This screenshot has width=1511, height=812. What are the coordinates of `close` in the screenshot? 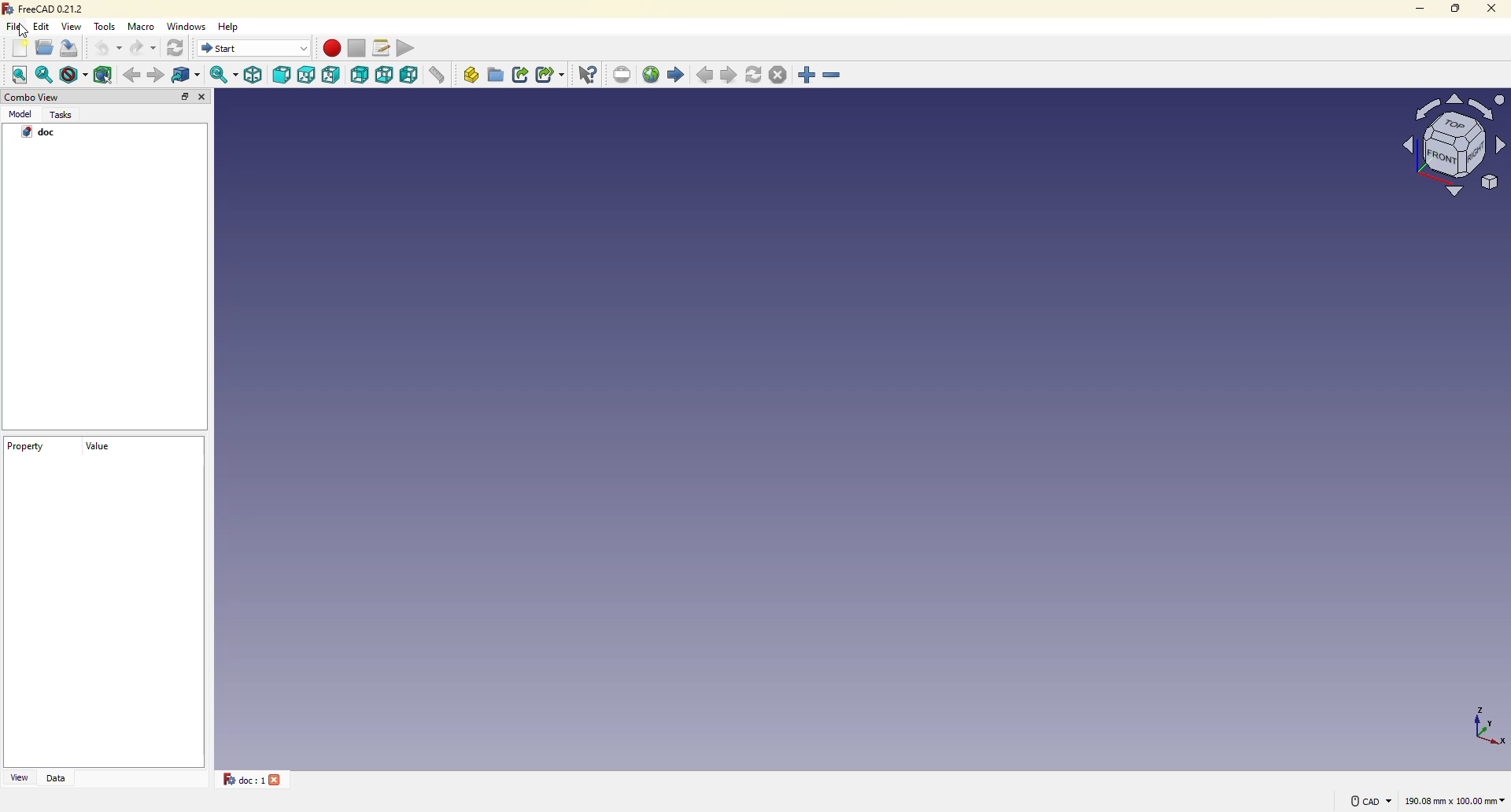 It's located at (205, 98).